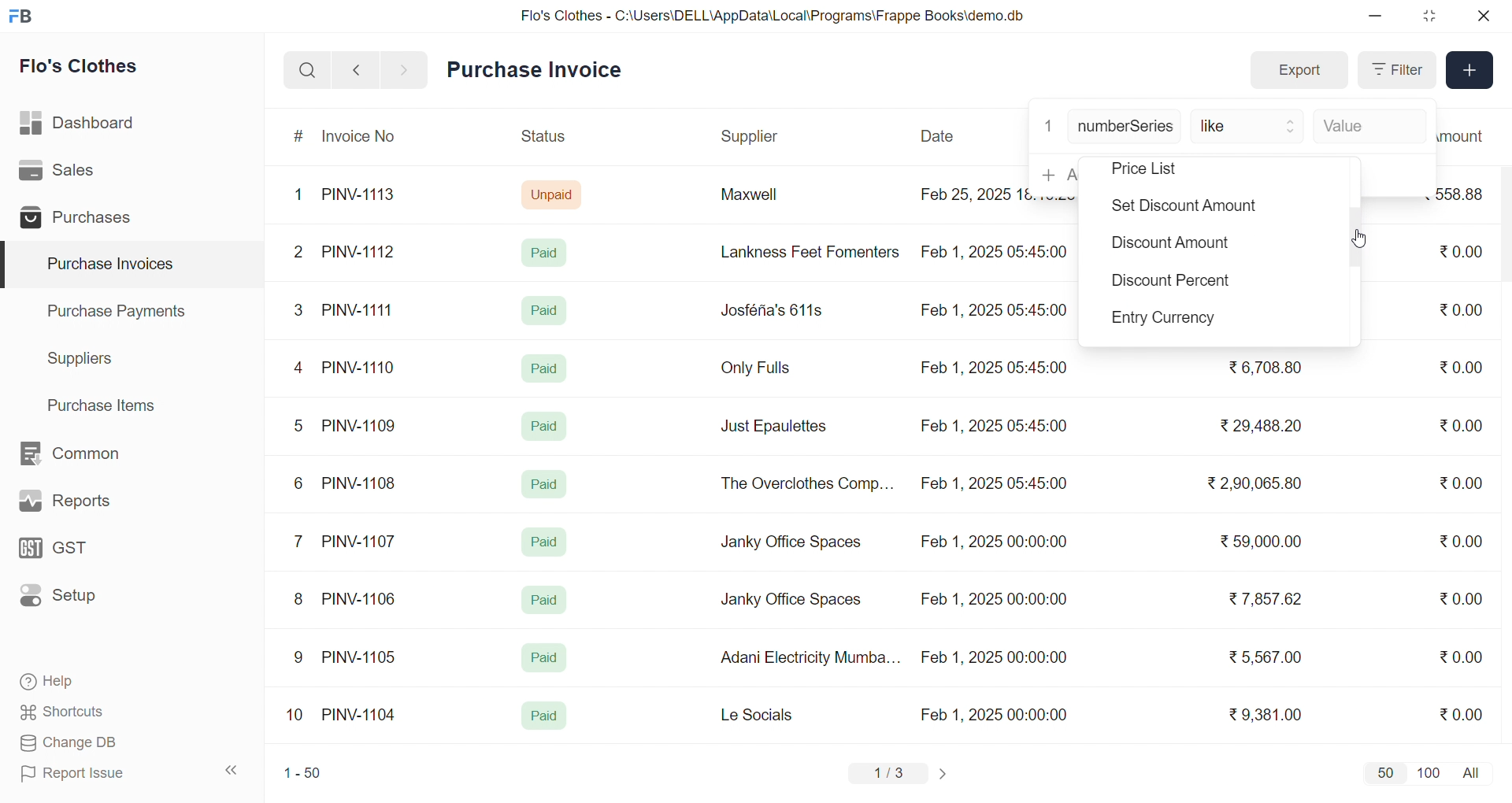  What do you see at coordinates (1054, 174) in the screenshot?
I see `+ Add a filter` at bounding box center [1054, 174].